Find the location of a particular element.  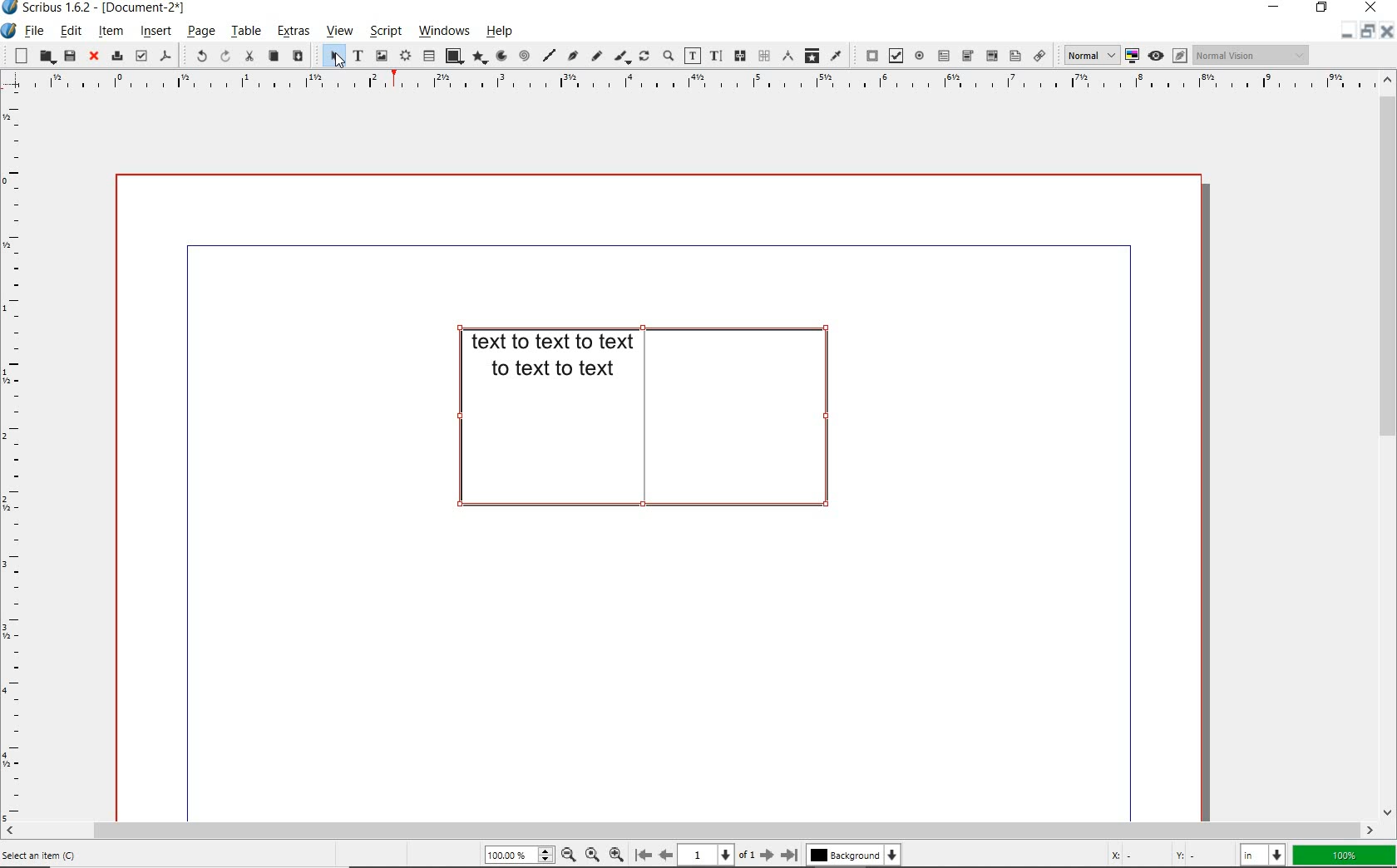

scrollbar is located at coordinates (1389, 446).